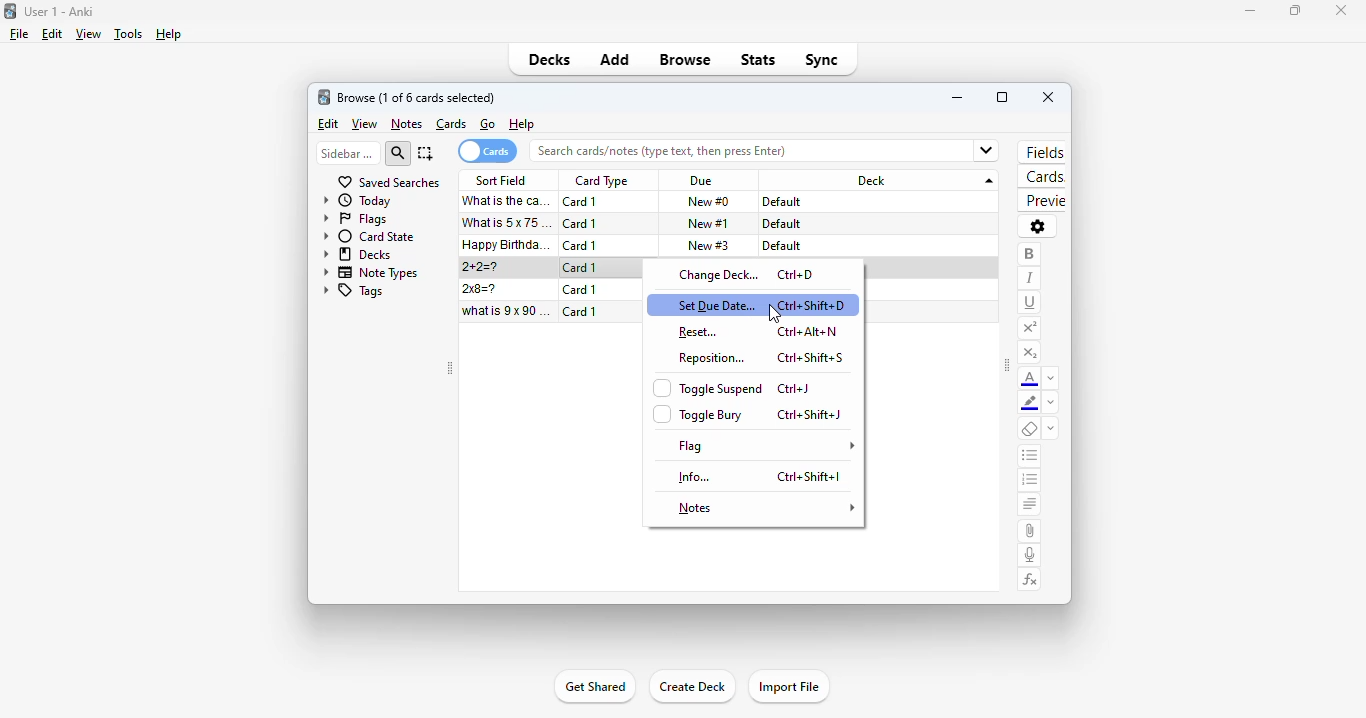 This screenshot has height=718, width=1366. I want to click on italic, so click(1029, 278).